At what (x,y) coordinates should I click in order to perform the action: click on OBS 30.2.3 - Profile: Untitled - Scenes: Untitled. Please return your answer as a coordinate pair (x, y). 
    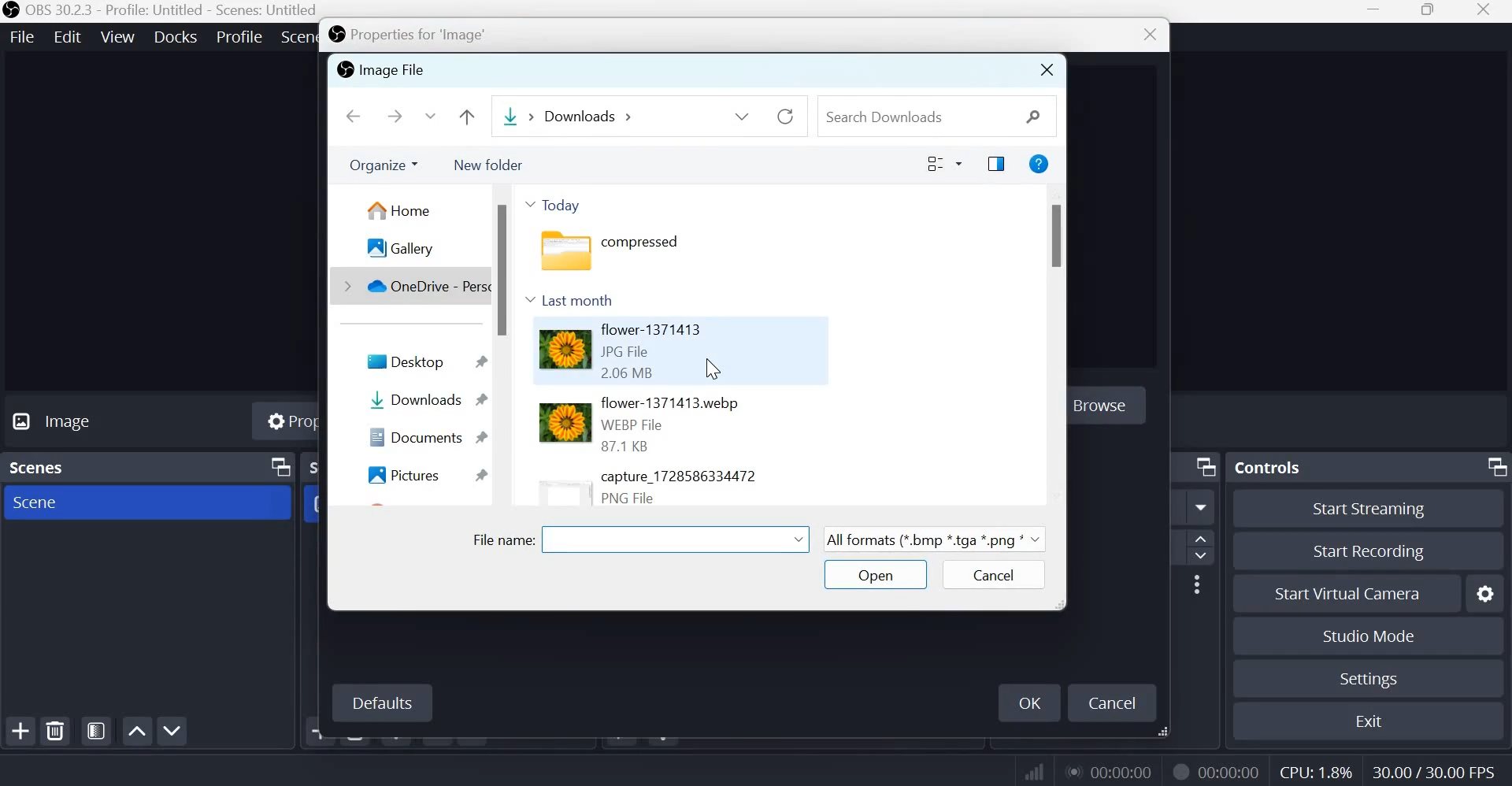
    Looking at the image, I should click on (160, 10).